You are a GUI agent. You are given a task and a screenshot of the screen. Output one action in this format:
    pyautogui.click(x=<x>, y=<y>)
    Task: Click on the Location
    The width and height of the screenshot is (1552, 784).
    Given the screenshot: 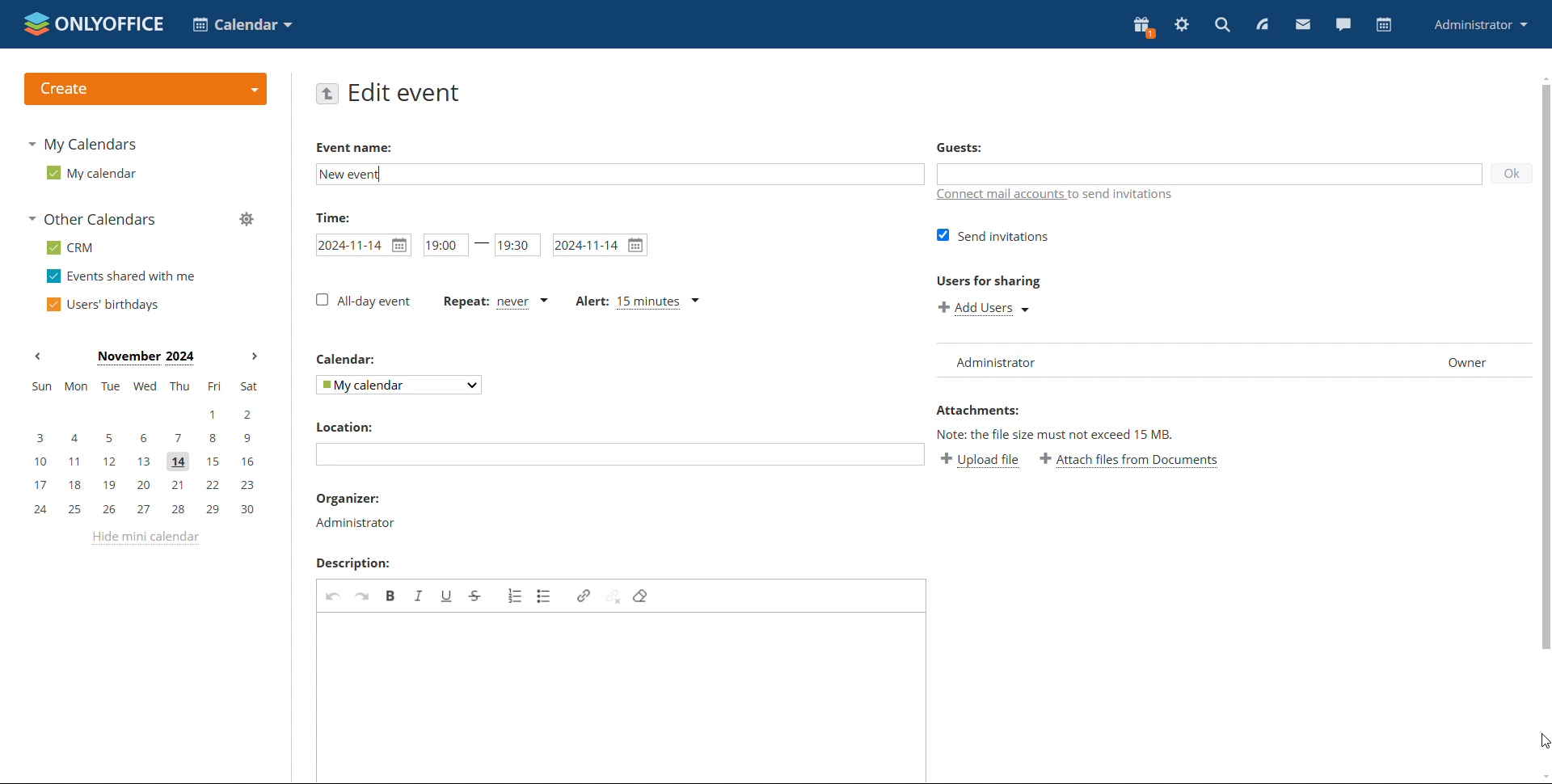 What is the action you would take?
    pyautogui.click(x=339, y=429)
    